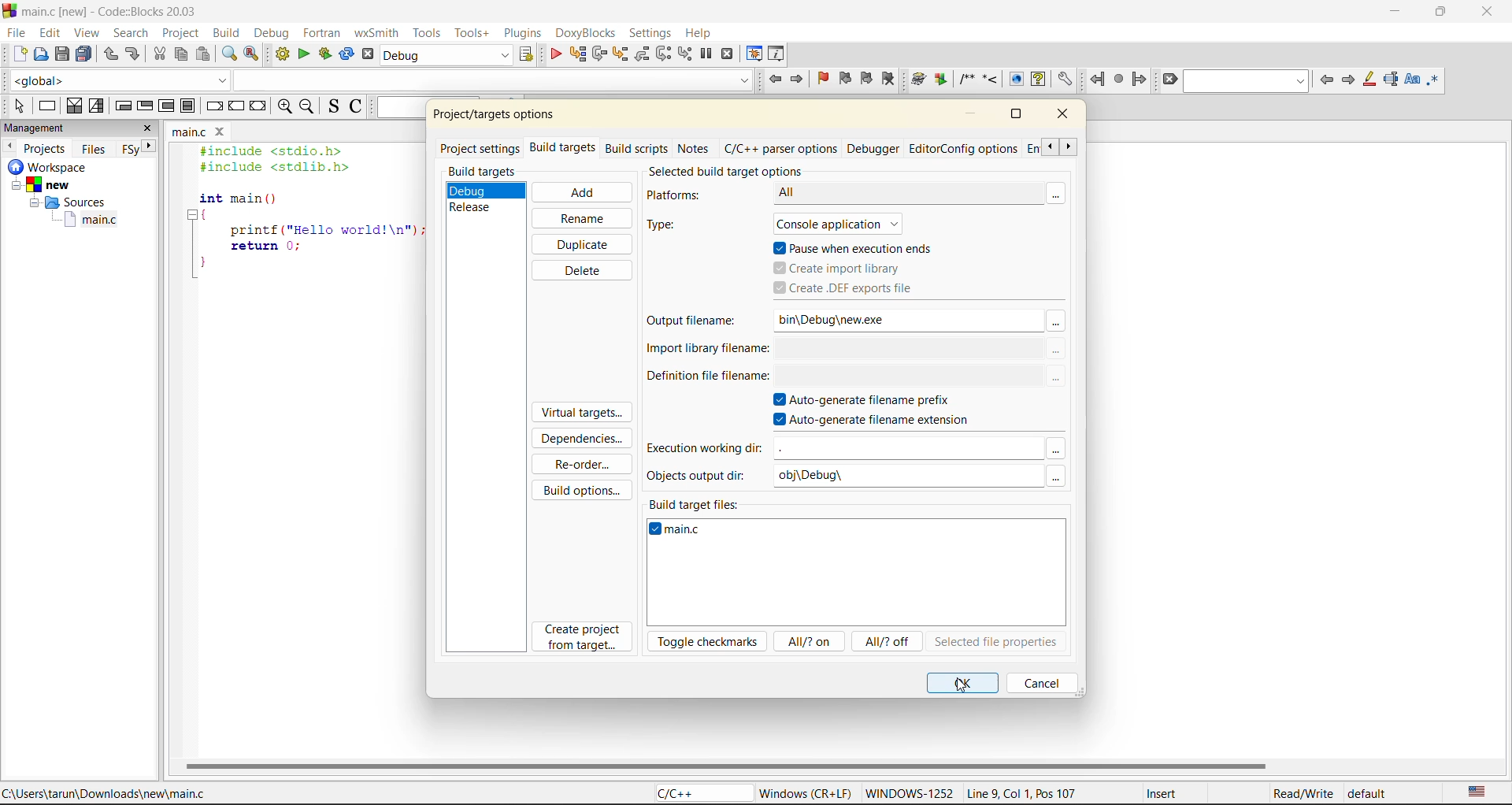 The height and width of the screenshot is (805, 1512). I want to click on C/C++, so click(695, 793).